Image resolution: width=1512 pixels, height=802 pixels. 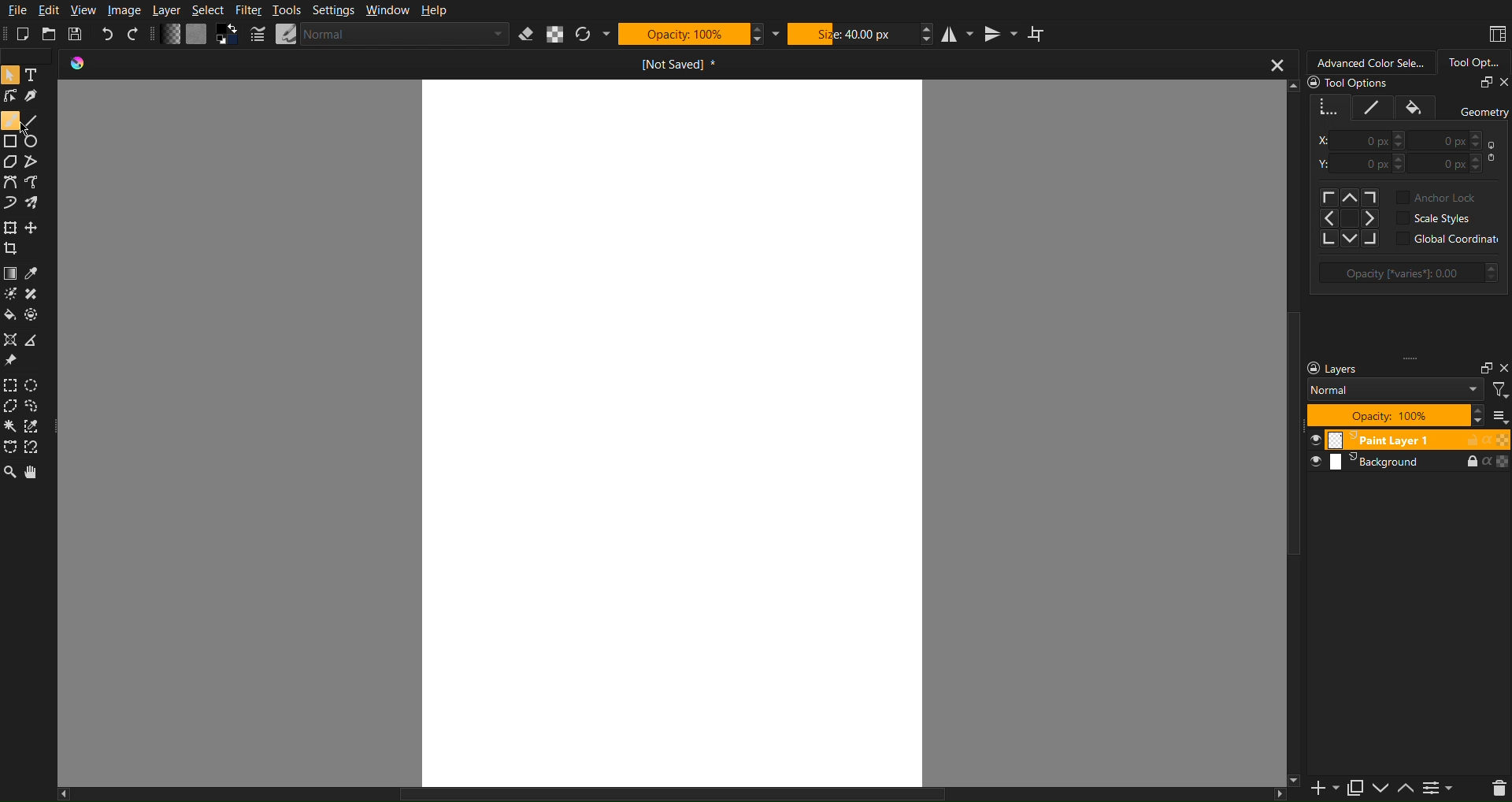 I want to click on Anchor Lock, so click(x=1441, y=199).